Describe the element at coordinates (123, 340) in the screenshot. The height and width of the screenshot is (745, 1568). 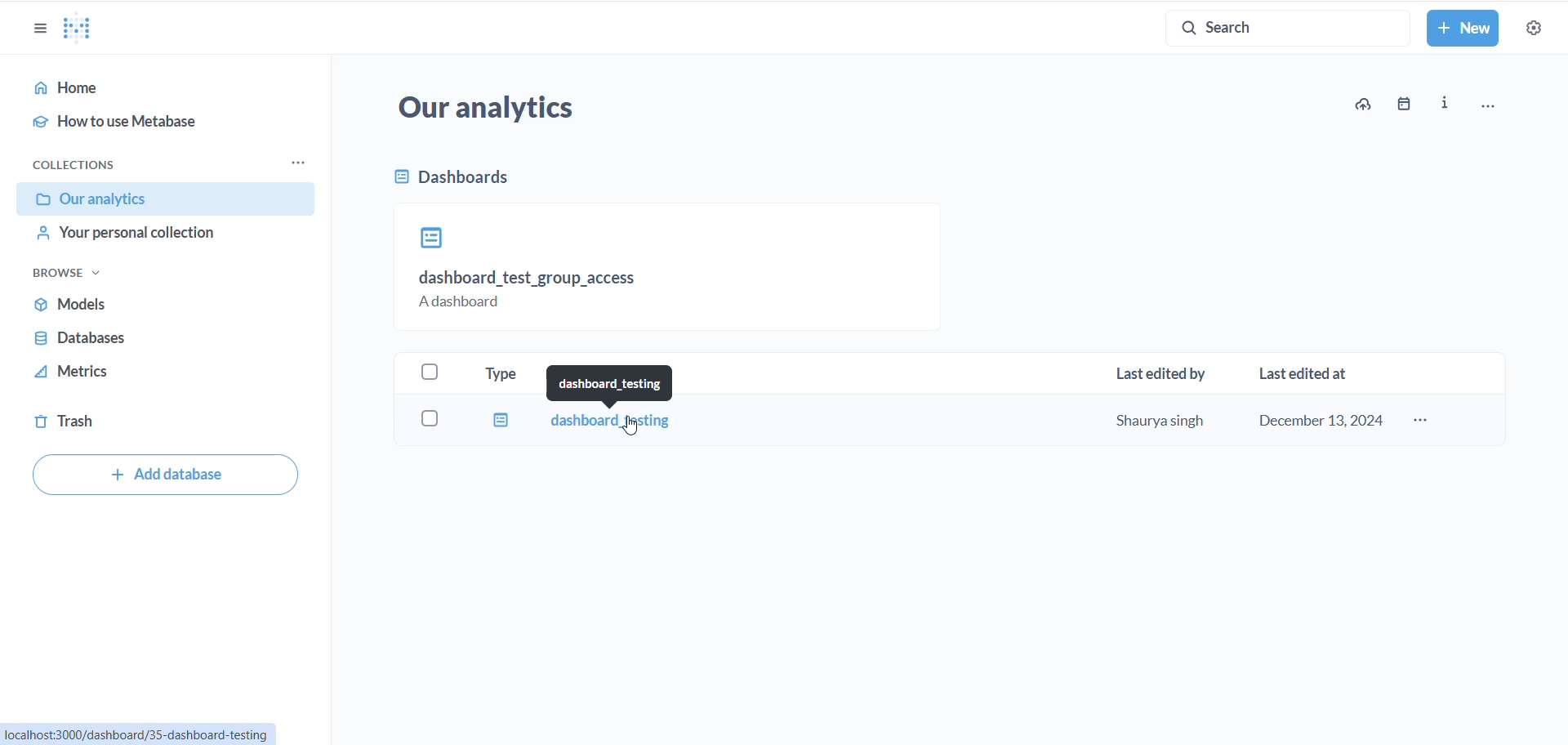
I see `databases` at that location.